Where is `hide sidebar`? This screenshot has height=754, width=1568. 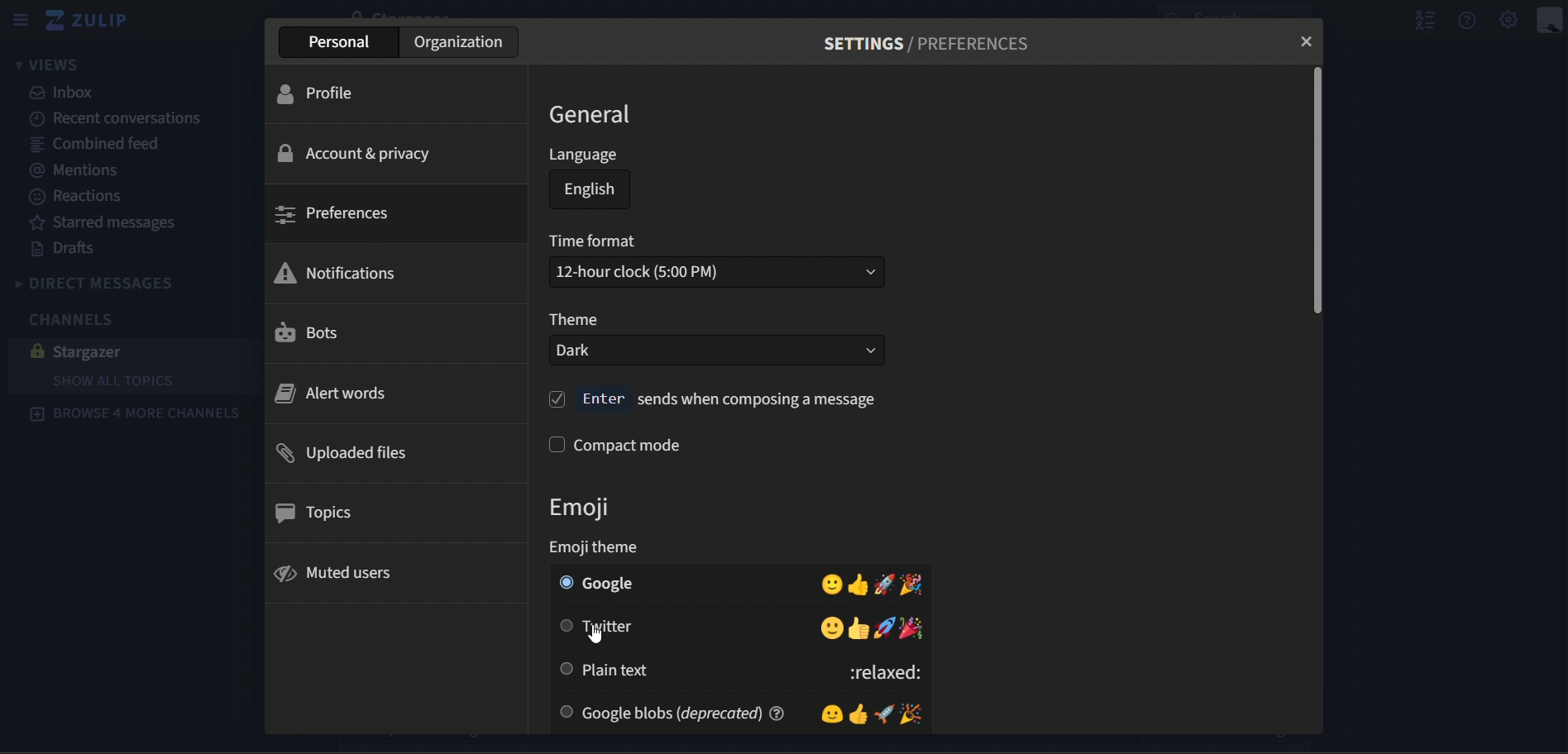
hide sidebar is located at coordinates (19, 19).